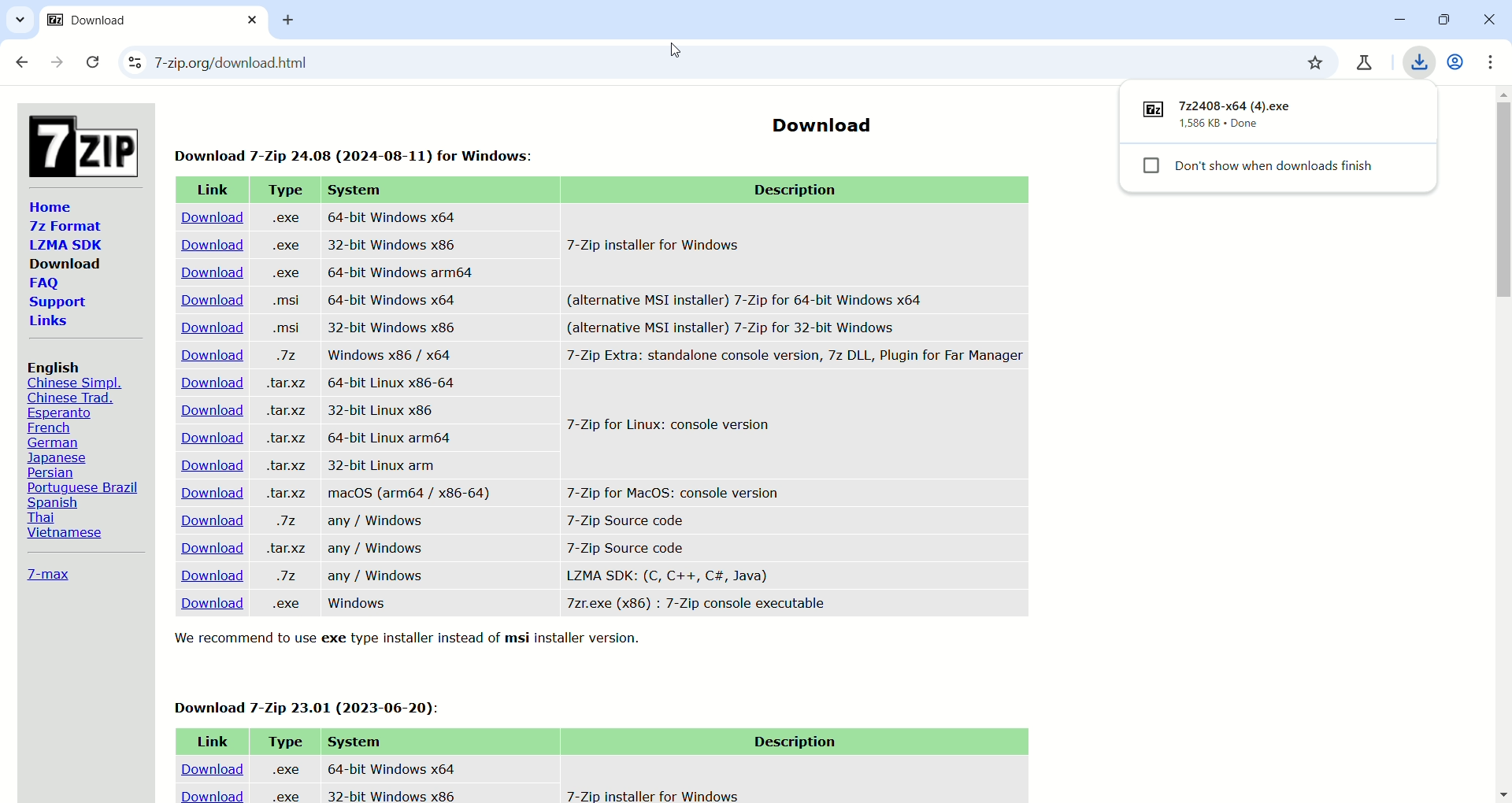 The height and width of the screenshot is (803, 1512). What do you see at coordinates (1393, 20) in the screenshot?
I see `minimize` at bounding box center [1393, 20].